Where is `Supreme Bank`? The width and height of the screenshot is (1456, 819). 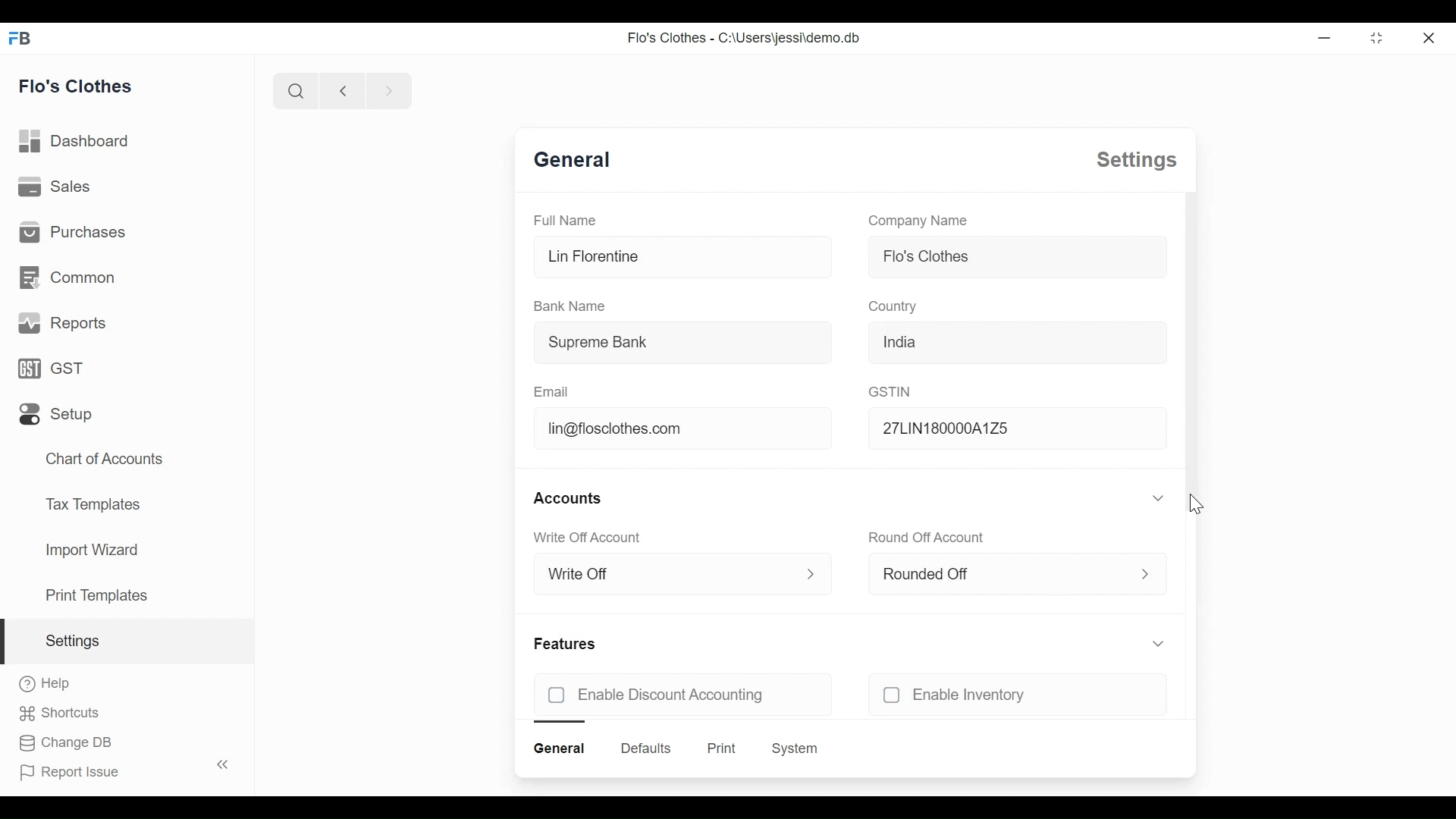 Supreme Bank is located at coordinates (680, 344).